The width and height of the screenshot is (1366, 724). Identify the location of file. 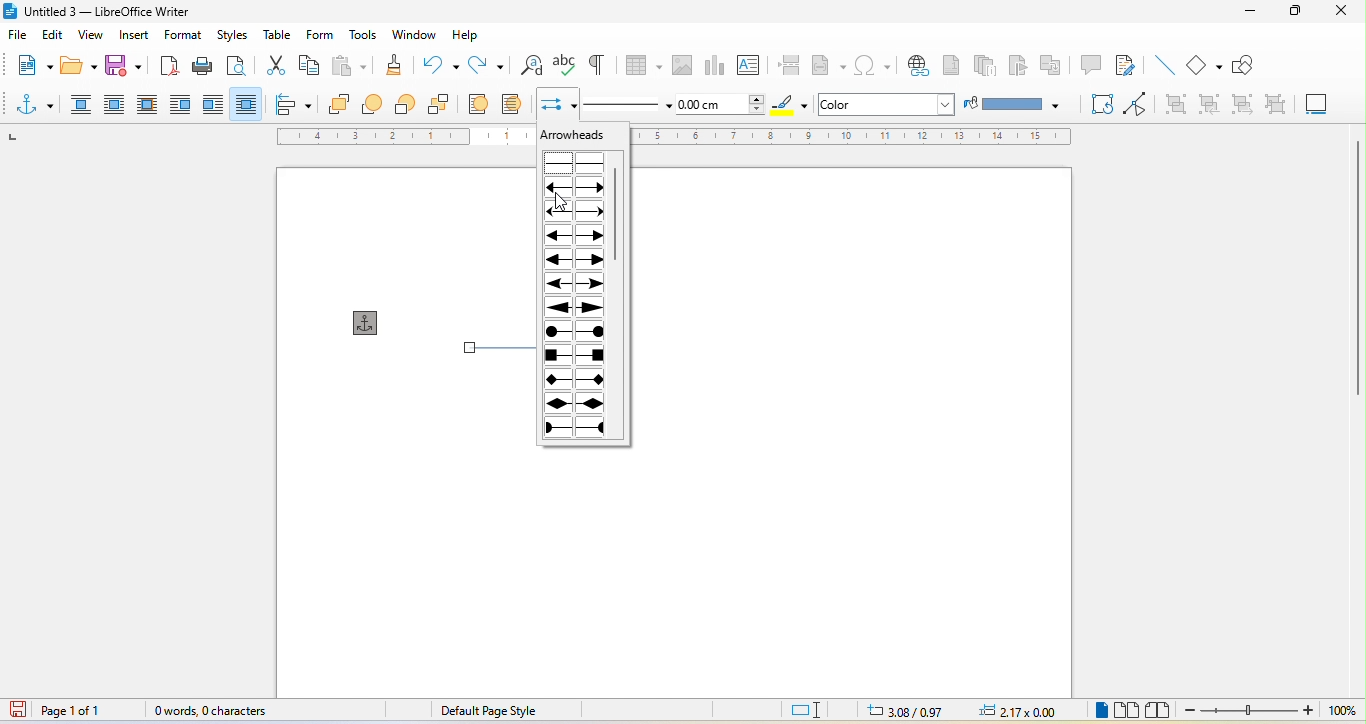
(21, 36).